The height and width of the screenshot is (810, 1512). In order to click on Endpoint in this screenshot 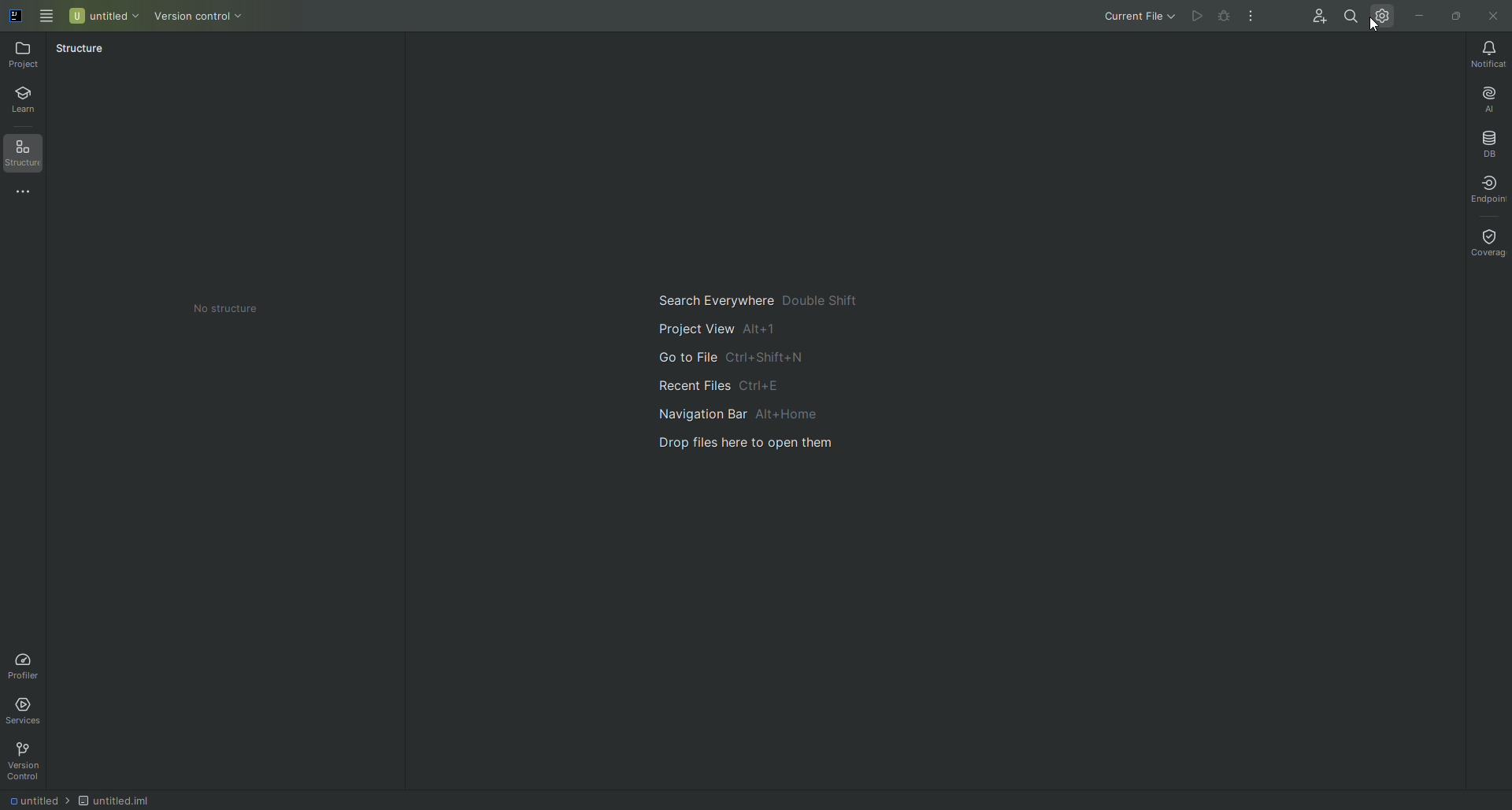, I will do `click(1489, 190)`.